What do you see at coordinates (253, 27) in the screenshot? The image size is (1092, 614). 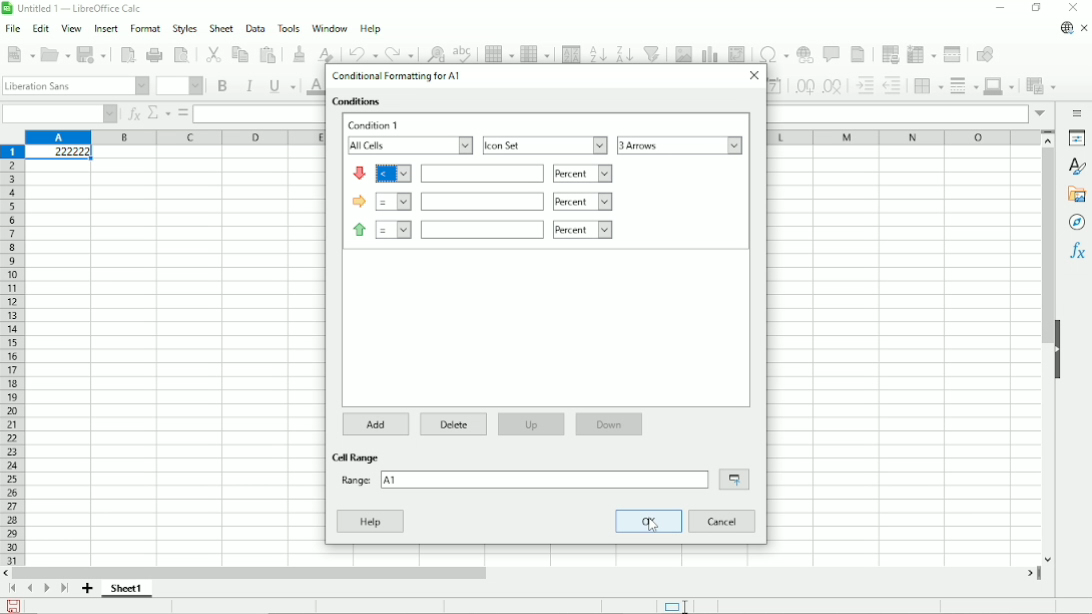 I see `Data` at bounding box center [253, 27].